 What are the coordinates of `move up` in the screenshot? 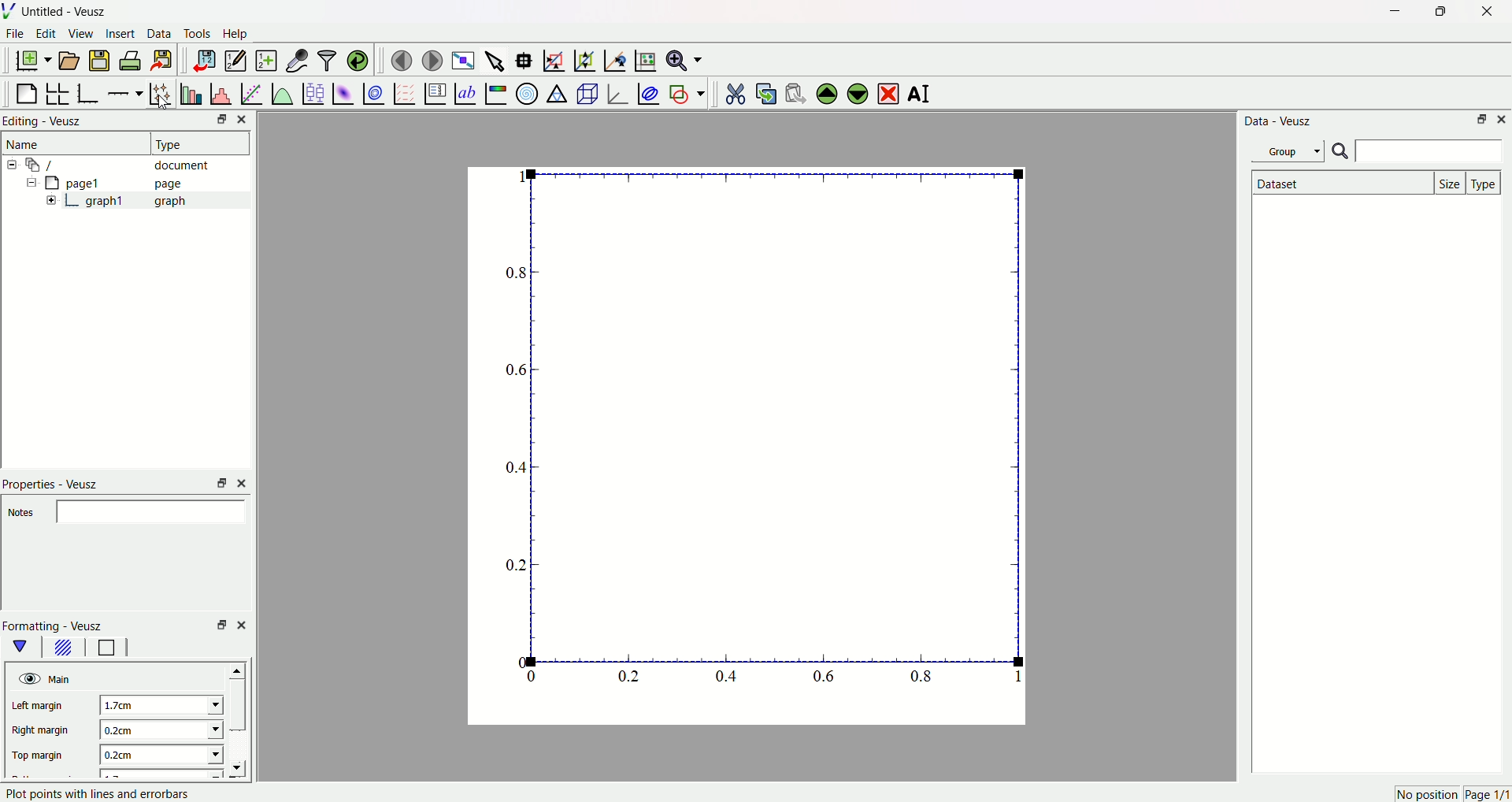 It's located at (239, 668).